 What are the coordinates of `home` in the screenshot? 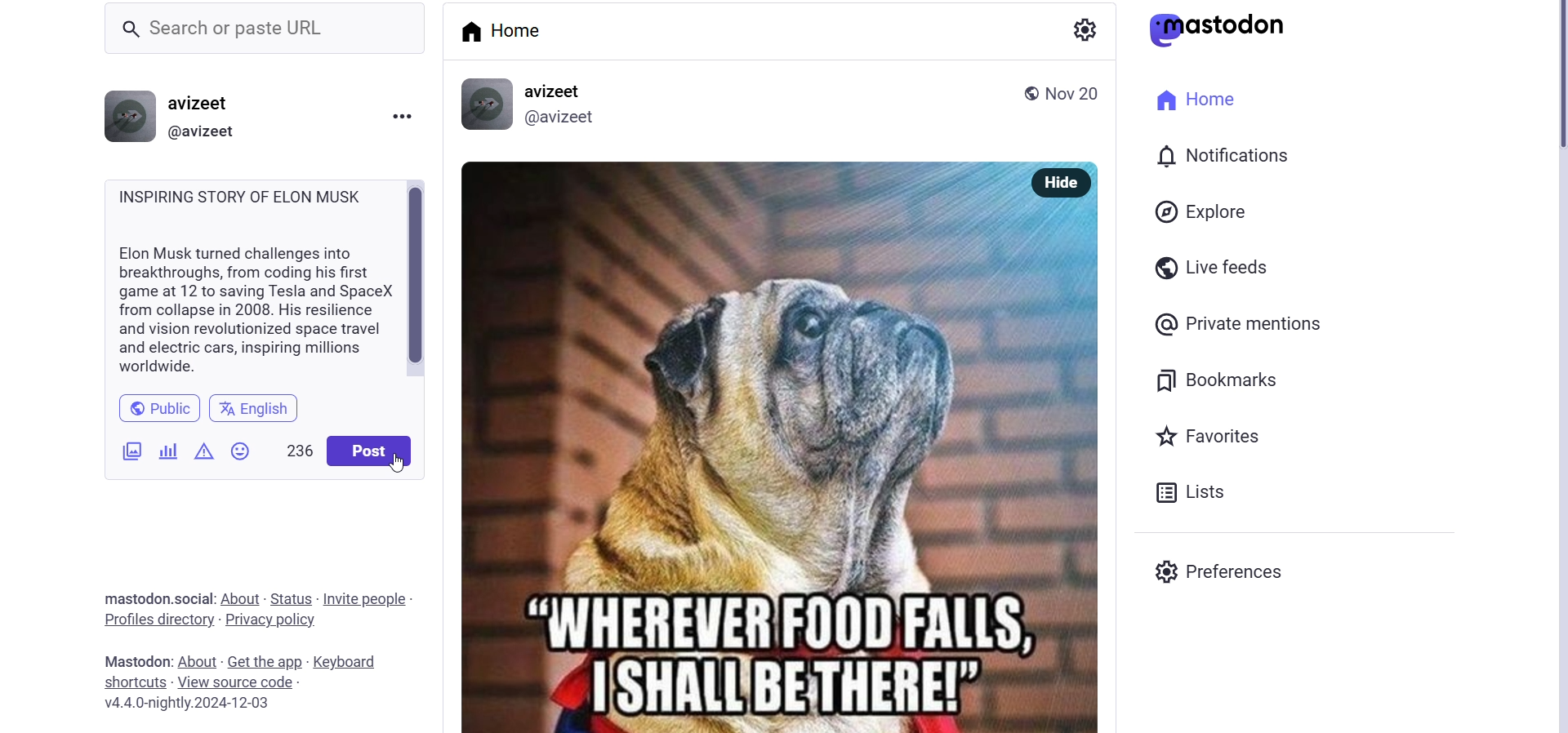 It's located at (1198, 100).